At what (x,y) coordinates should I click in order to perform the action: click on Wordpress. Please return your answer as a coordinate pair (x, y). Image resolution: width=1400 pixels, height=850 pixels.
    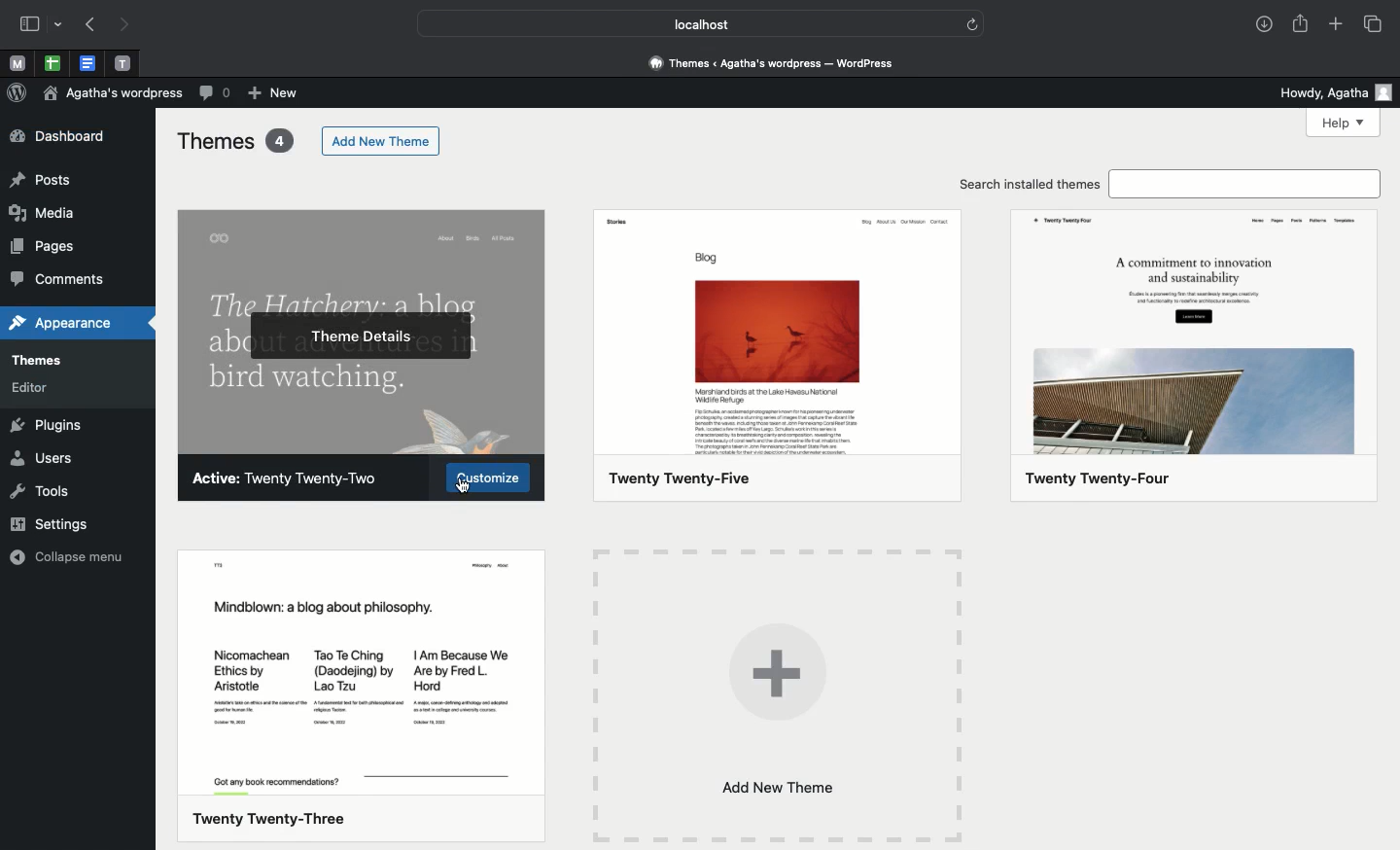
    Looking at the image, I should click on (17, 93).